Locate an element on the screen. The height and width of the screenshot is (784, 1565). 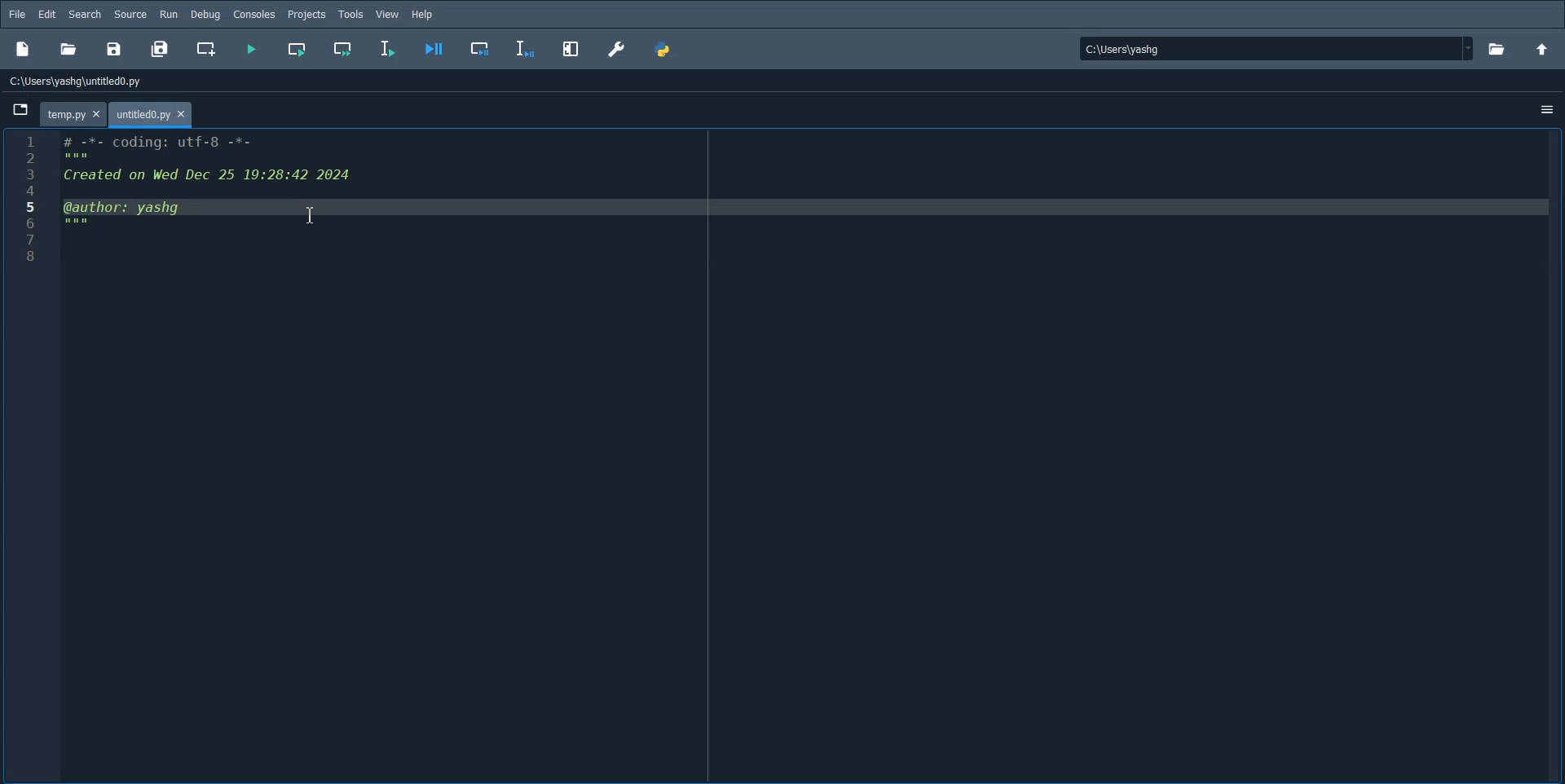
Run is located at coordinates (170, 15).